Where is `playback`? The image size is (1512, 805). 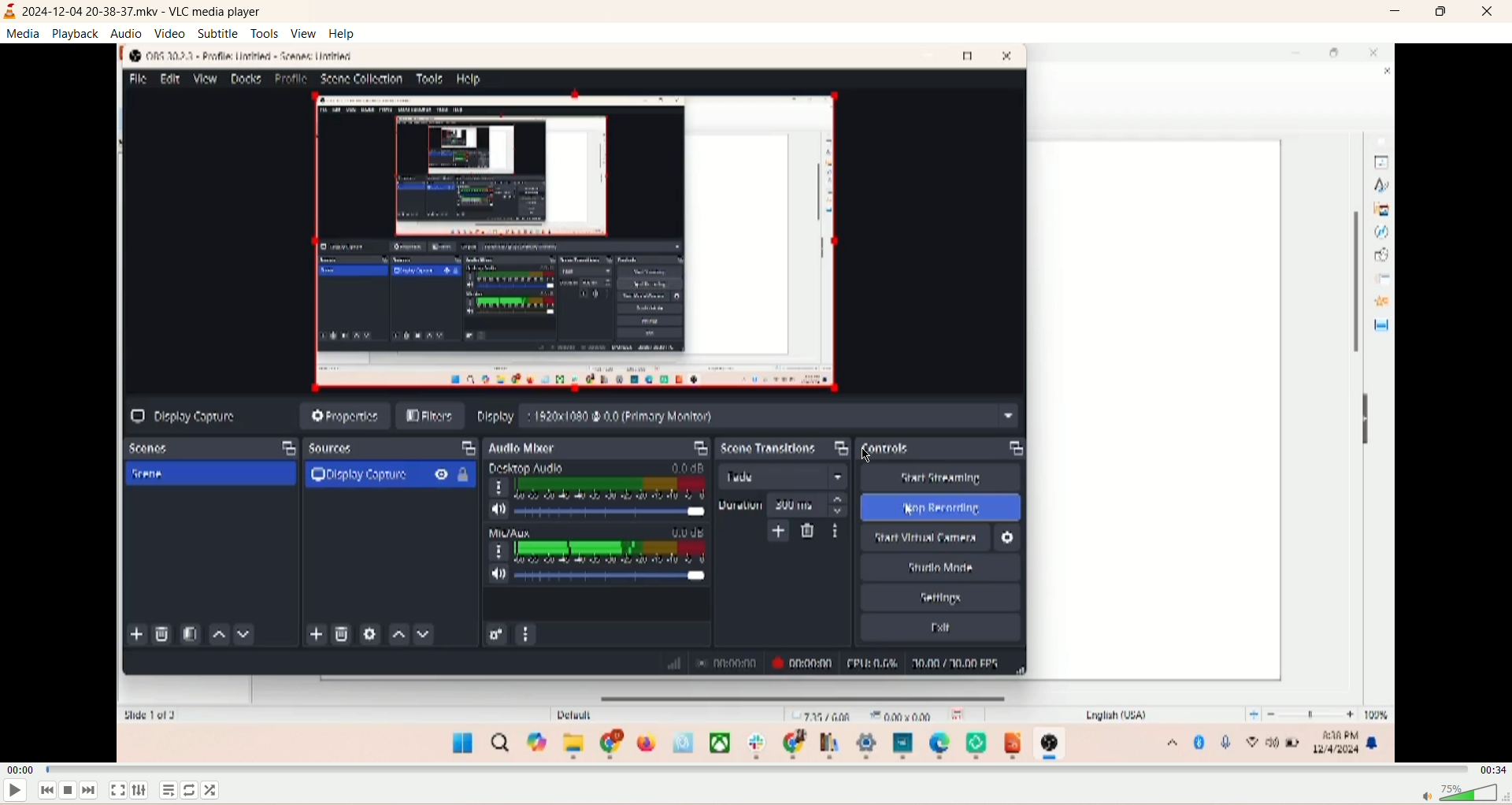
playback is located at coordinates (74, 35).